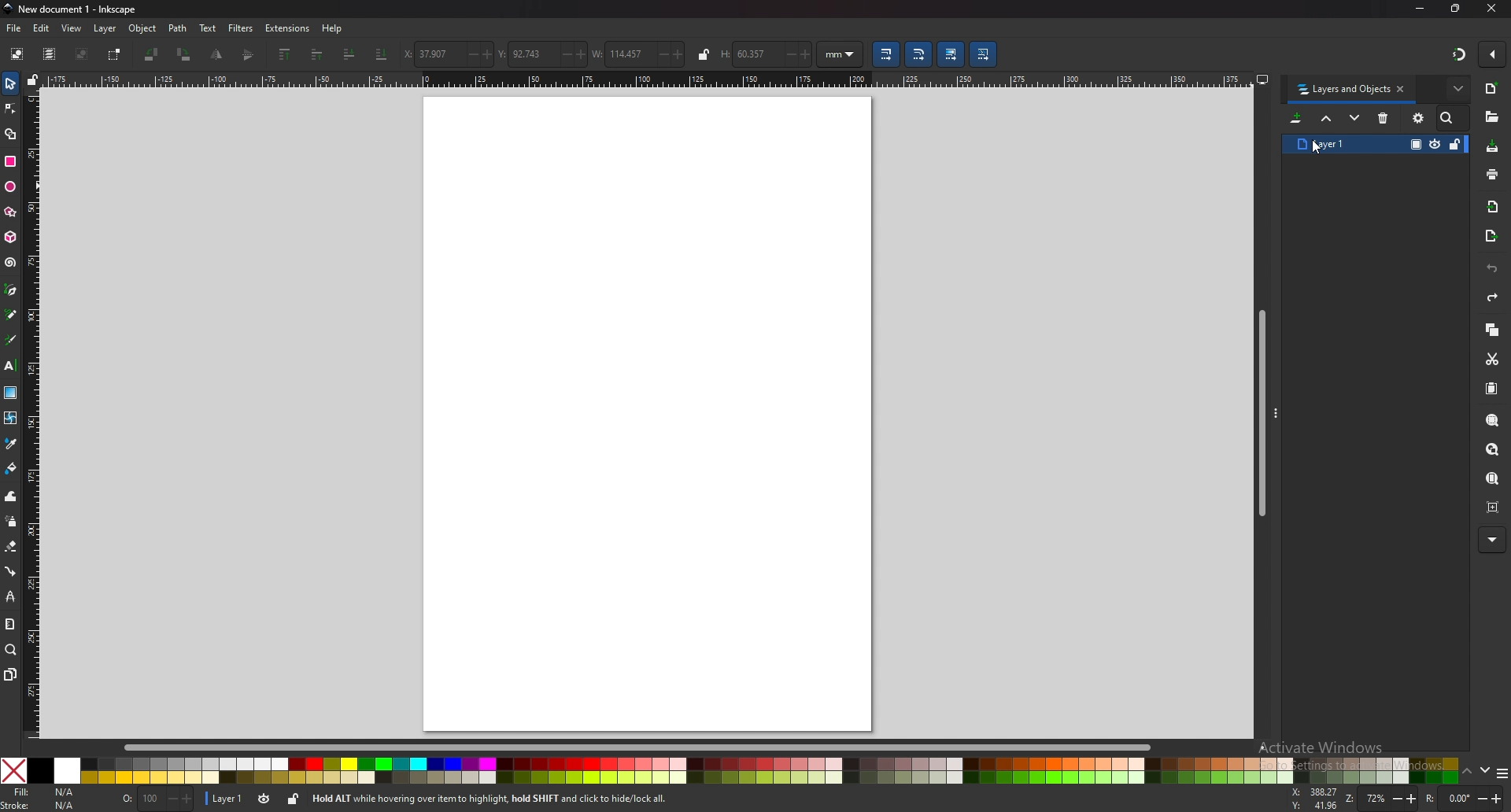  I want to click on copy, so click(1492, 328).